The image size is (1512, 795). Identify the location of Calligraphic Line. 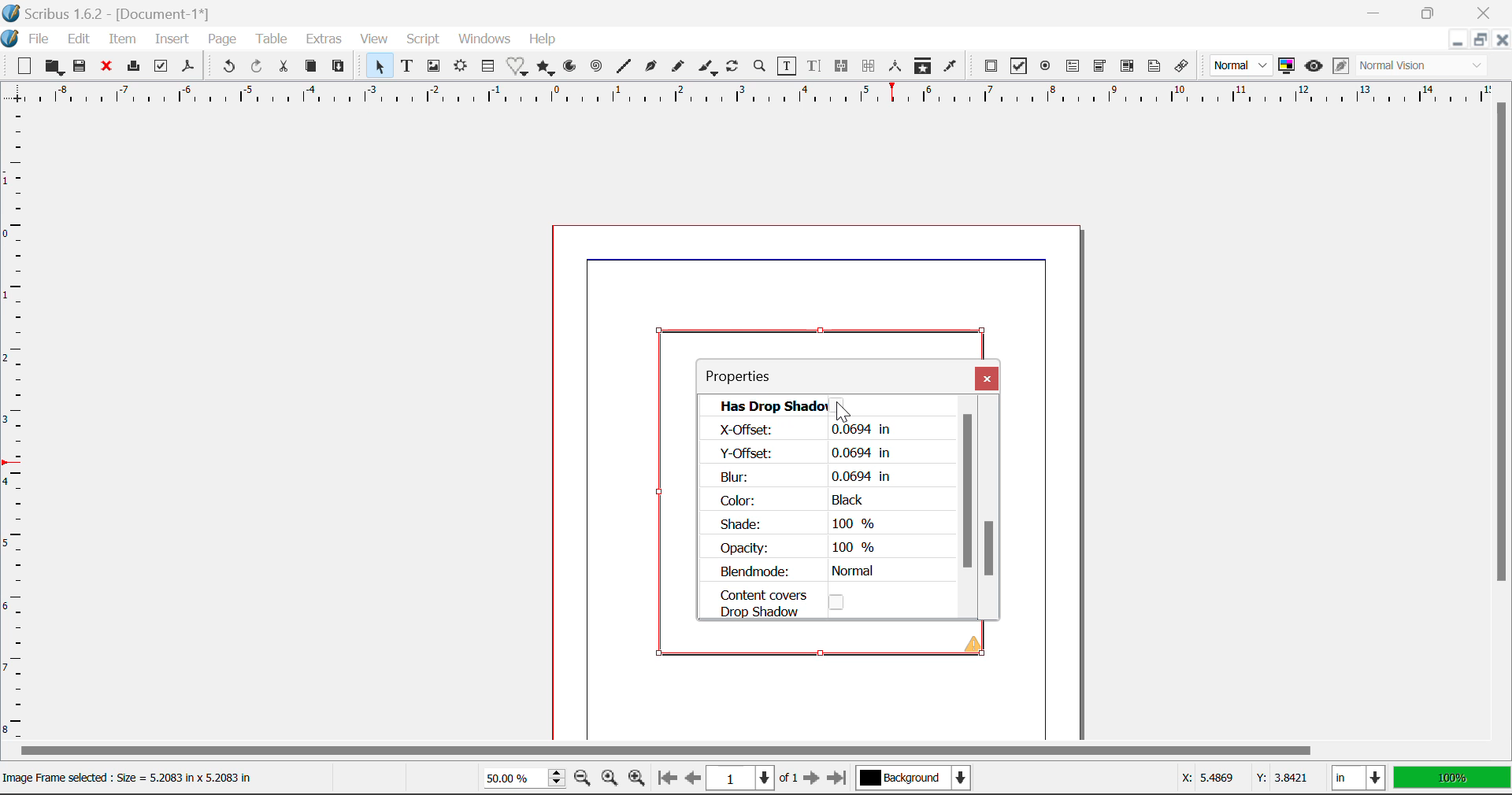
(709, 69).